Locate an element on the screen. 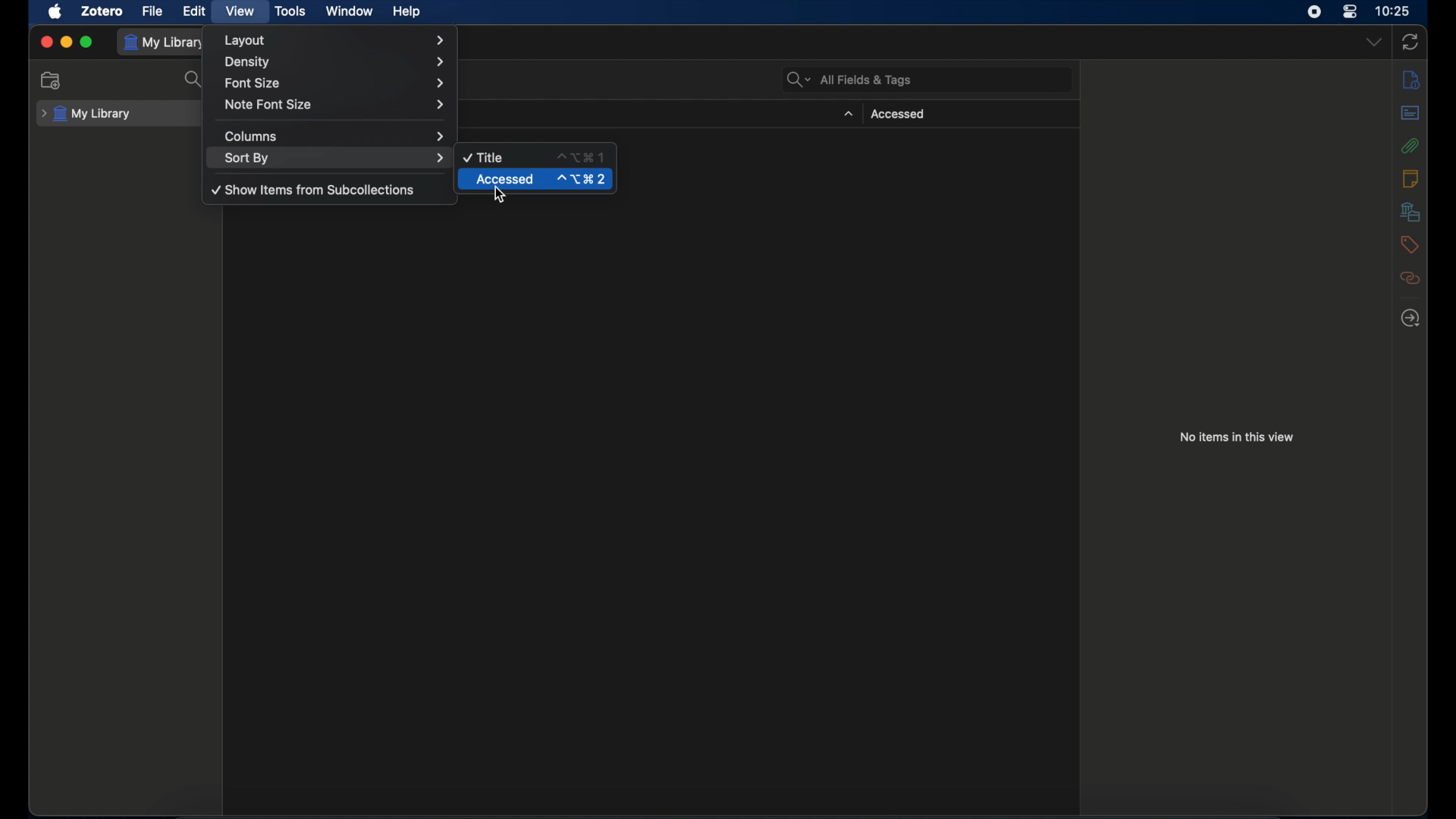  sync is located at coordinates (1409, 42).